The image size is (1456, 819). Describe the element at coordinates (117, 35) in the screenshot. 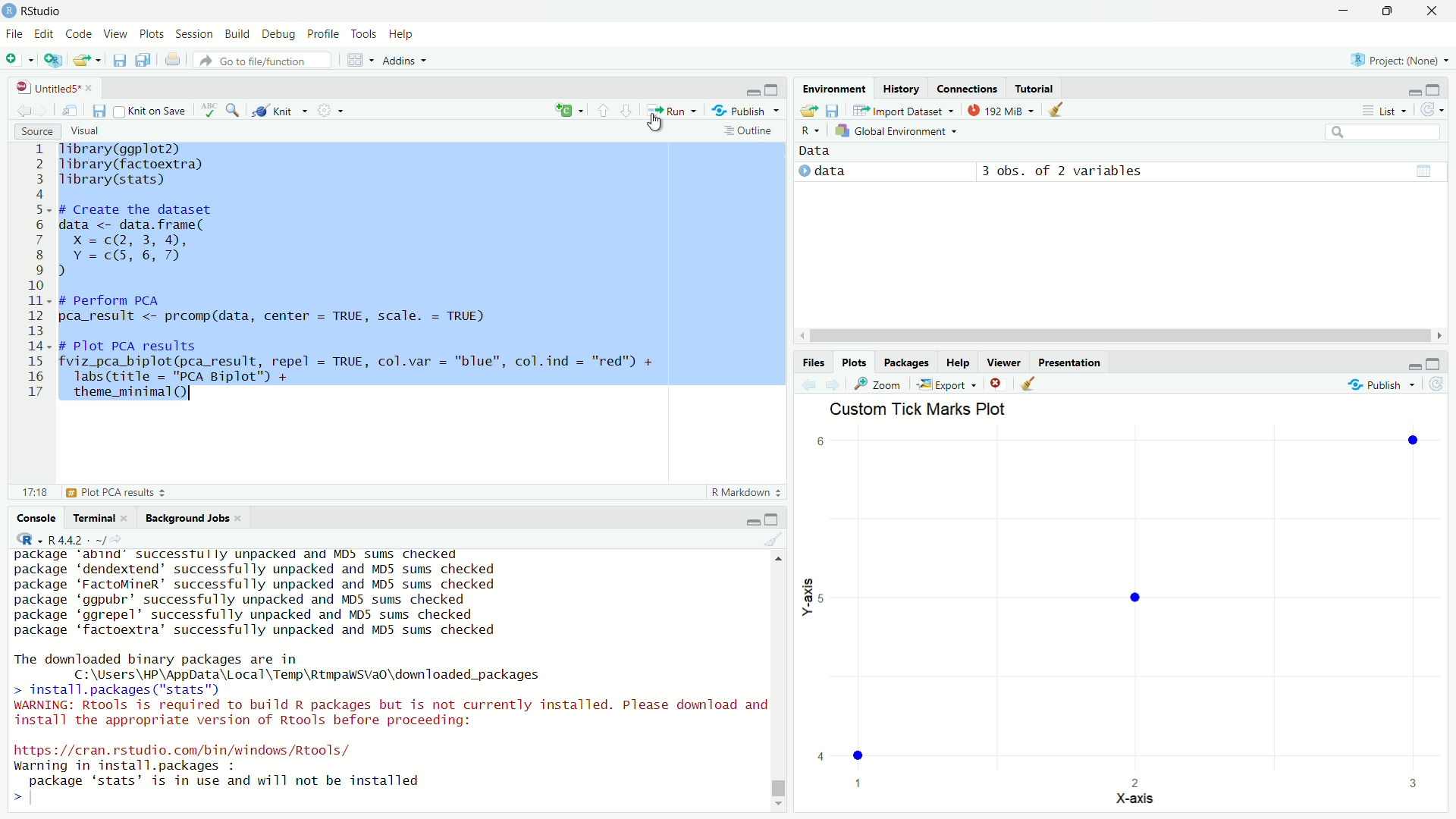

I see `View` at that location.